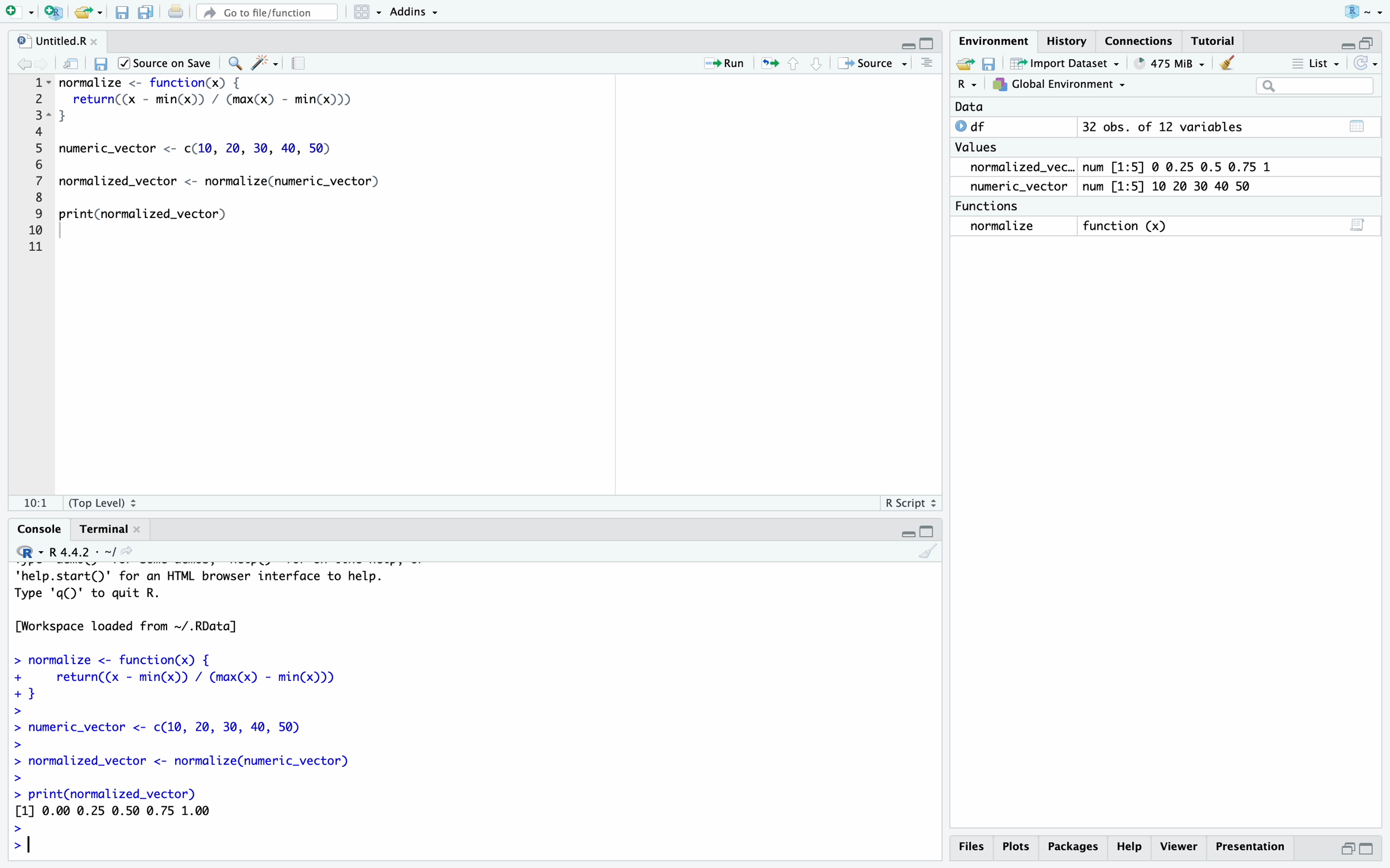 This screenshot has width=1390, height=868. I want to click on Save all open documents (Ctrl + Alt + S), so click(148, 14).